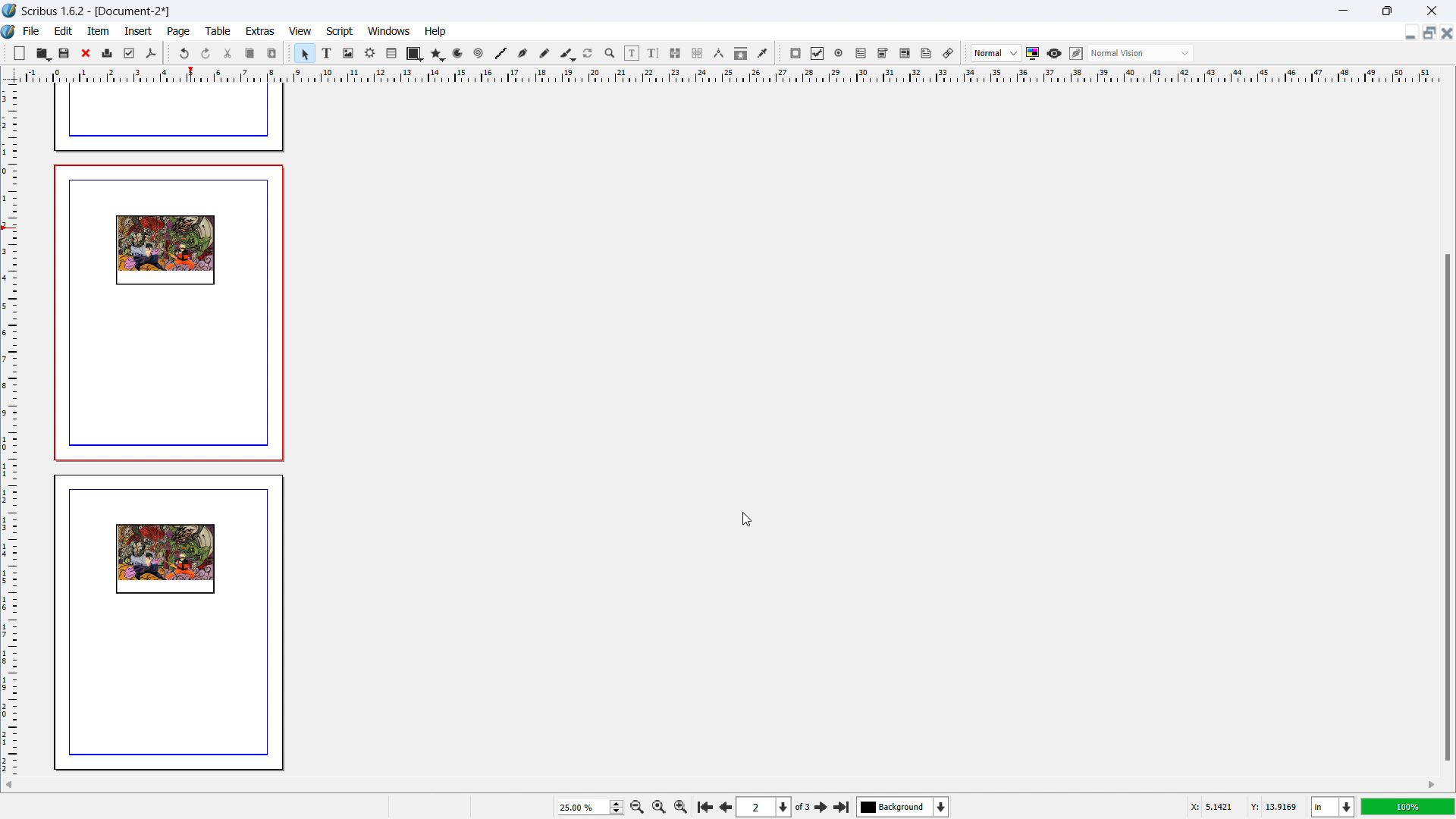 The image size is (1456, 819). I want to click on line, so click(500, 54).